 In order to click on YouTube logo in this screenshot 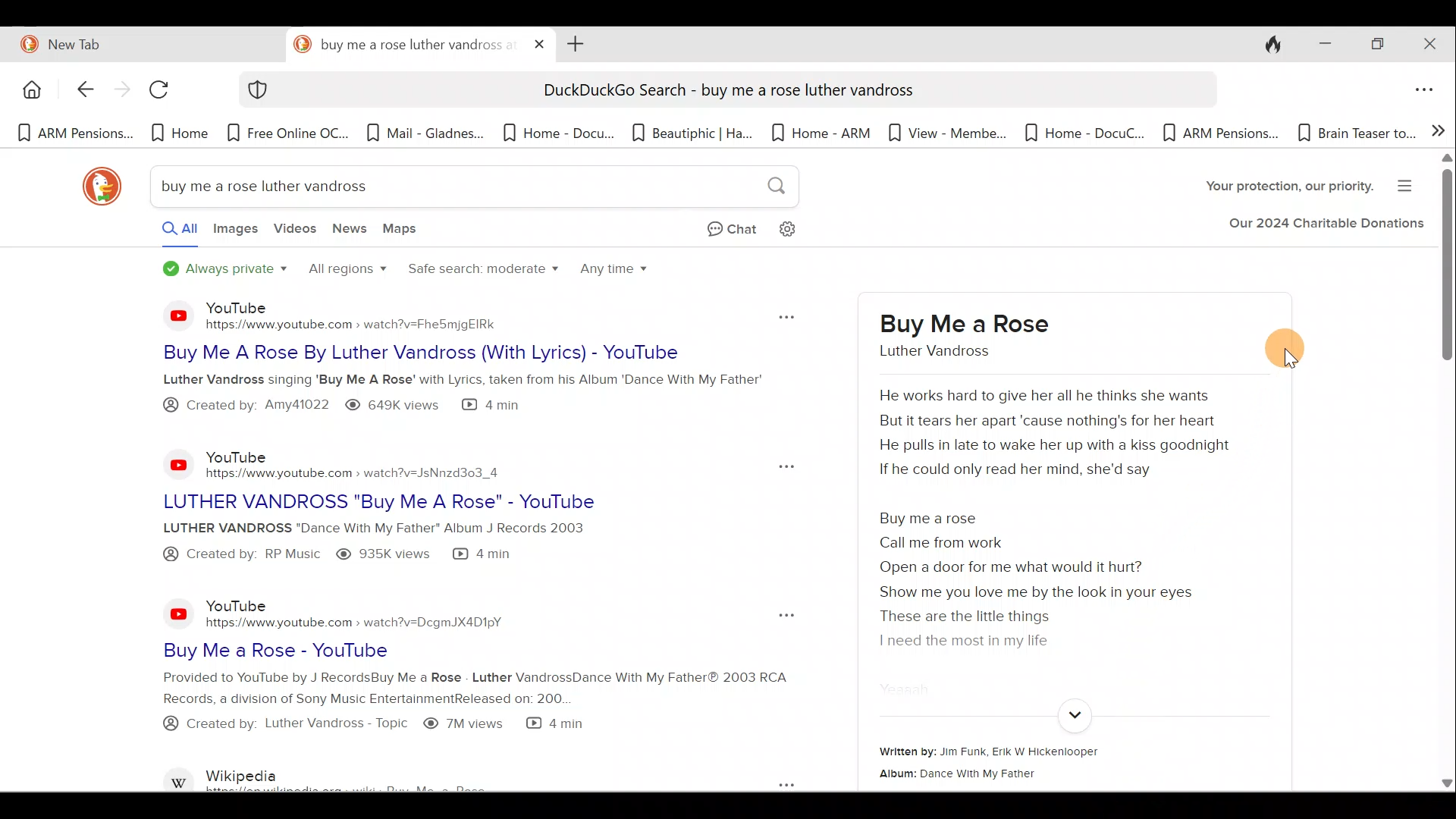, I will do `click(168, 315)`.